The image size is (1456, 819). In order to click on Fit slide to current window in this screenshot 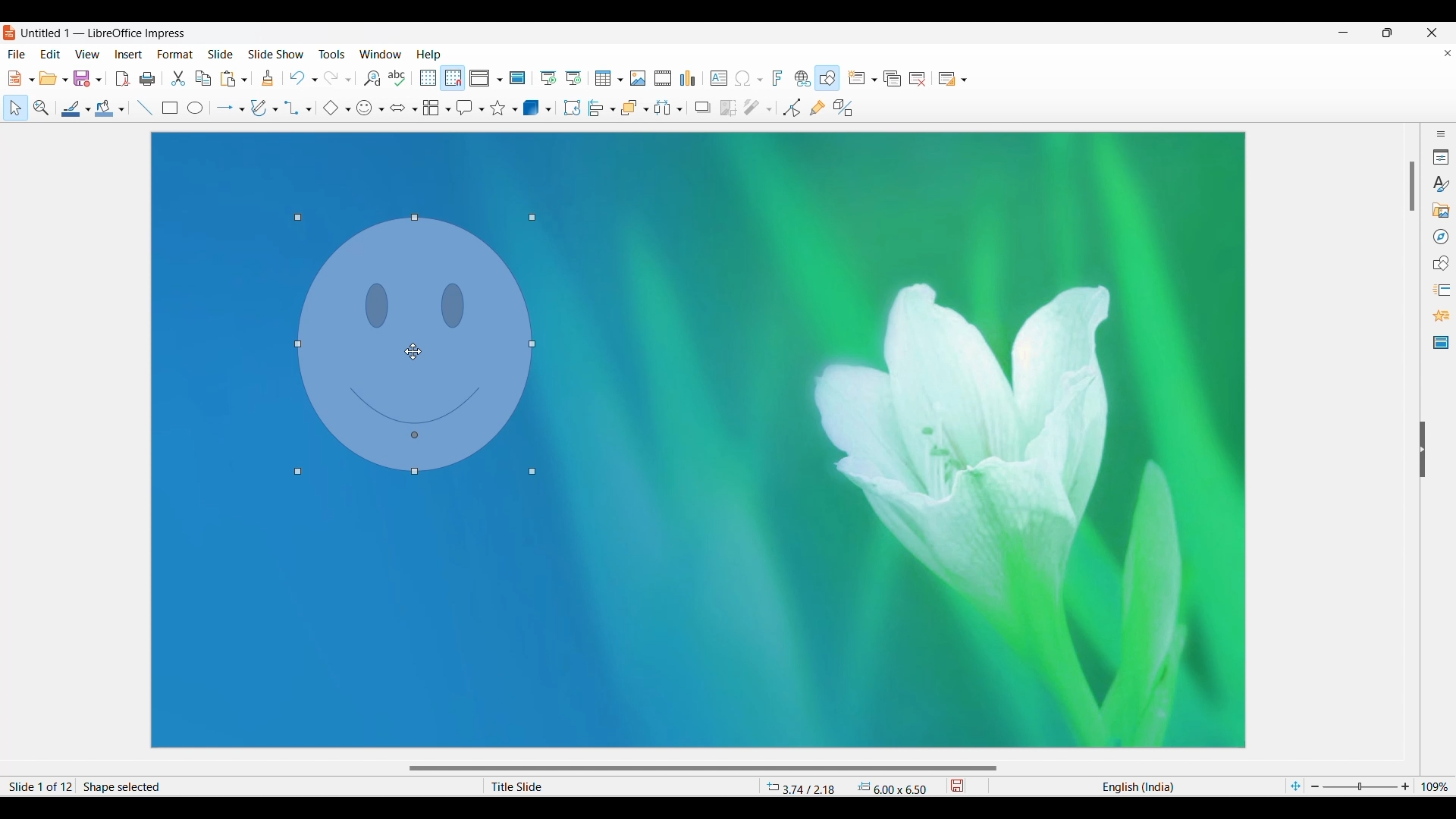, I will do `click(1295, 786)`.